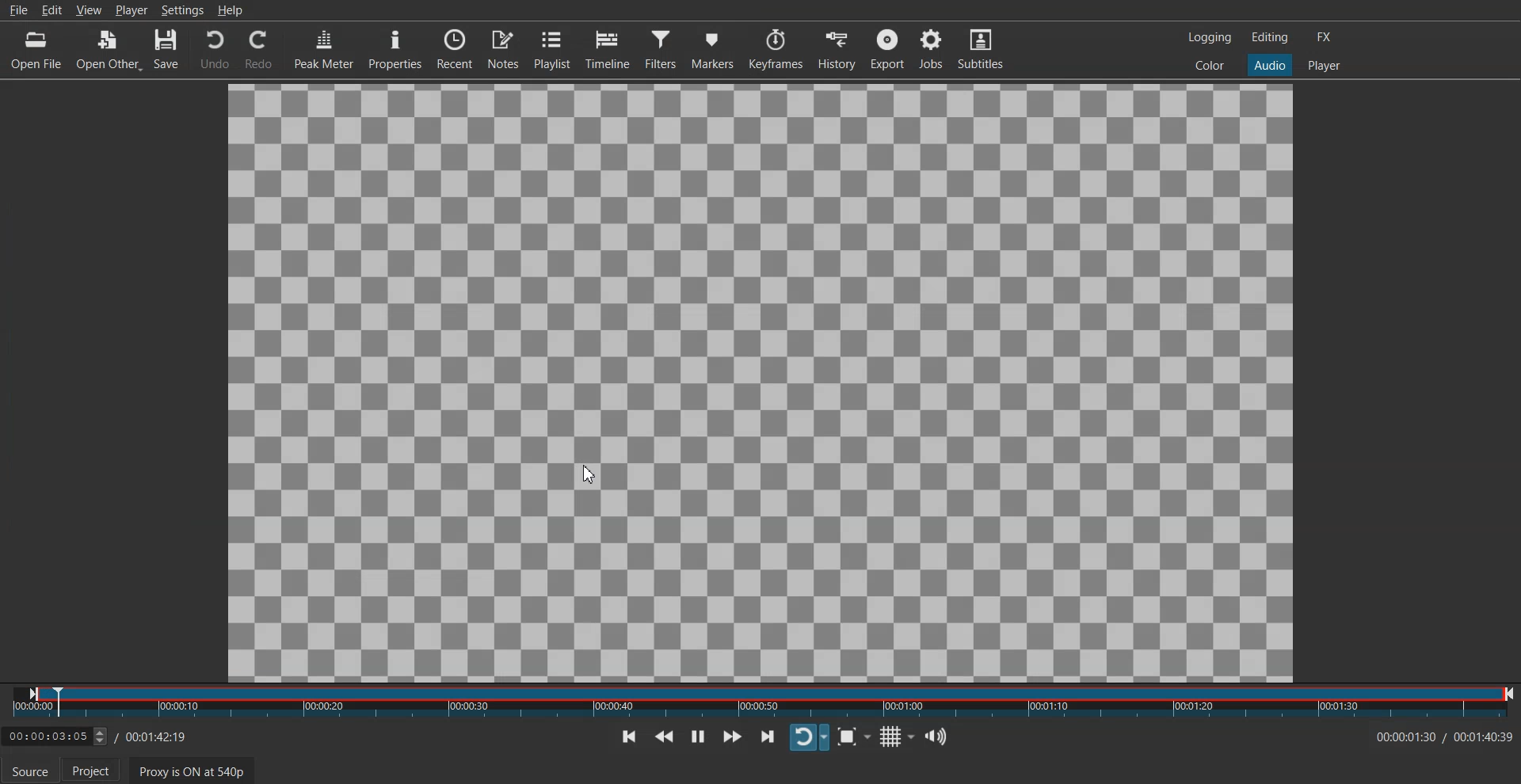  I want to click on Open Other, so click(109, 49).